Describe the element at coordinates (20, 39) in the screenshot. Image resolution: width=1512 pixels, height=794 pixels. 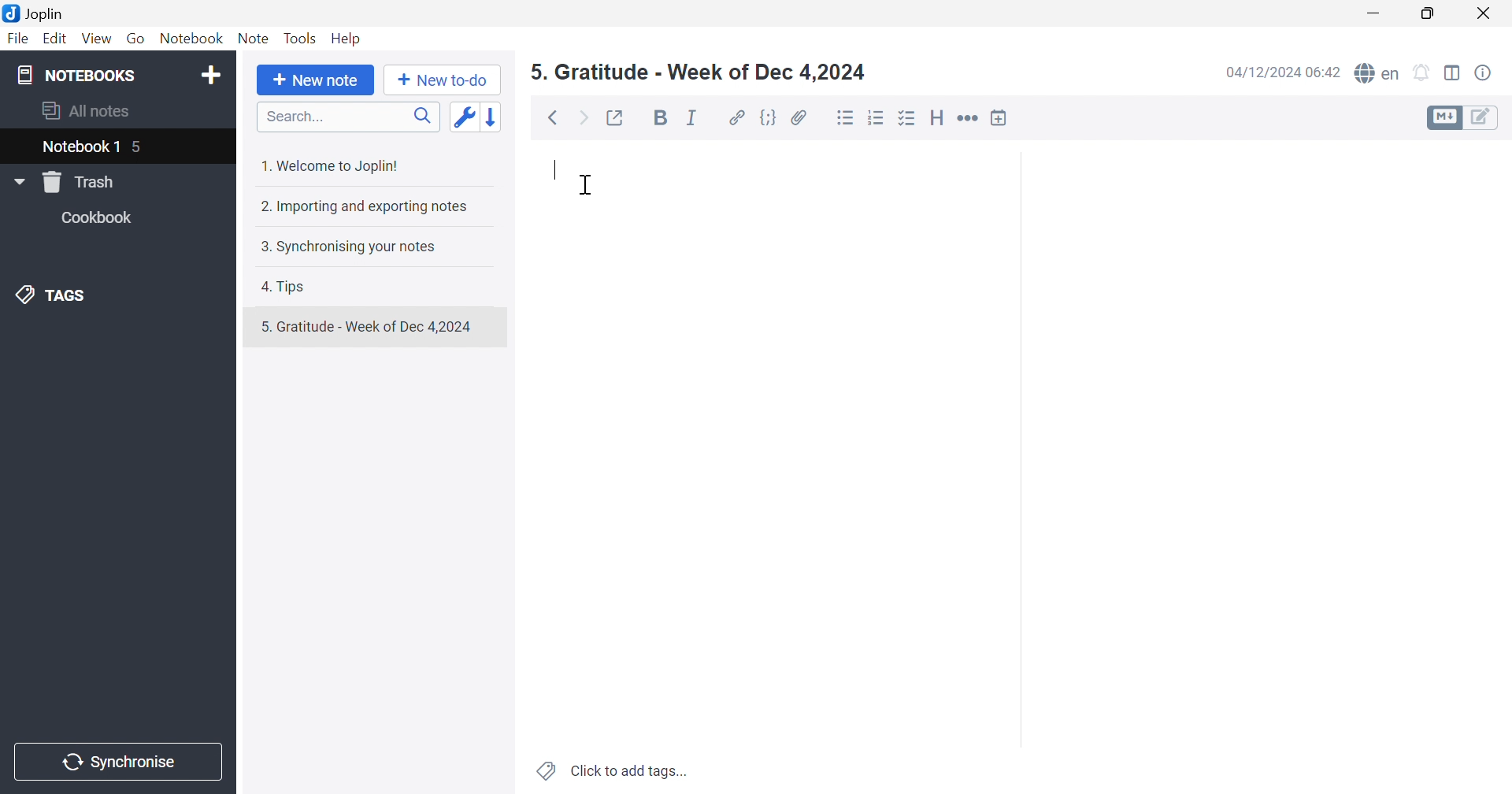
I see `File` at that location.